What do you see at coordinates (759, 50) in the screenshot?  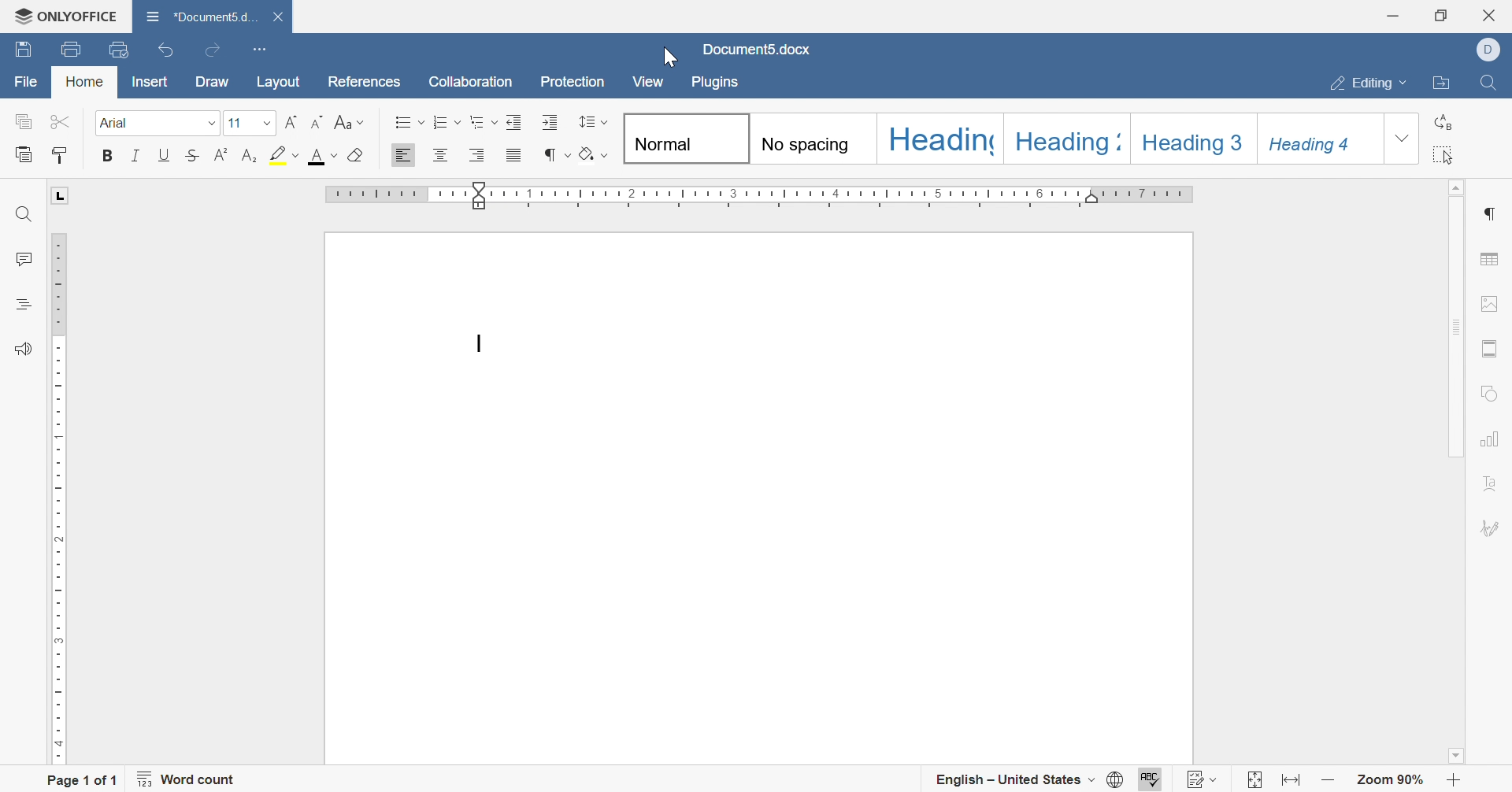 I see `document5.docx` at bounding box center [759, 50].